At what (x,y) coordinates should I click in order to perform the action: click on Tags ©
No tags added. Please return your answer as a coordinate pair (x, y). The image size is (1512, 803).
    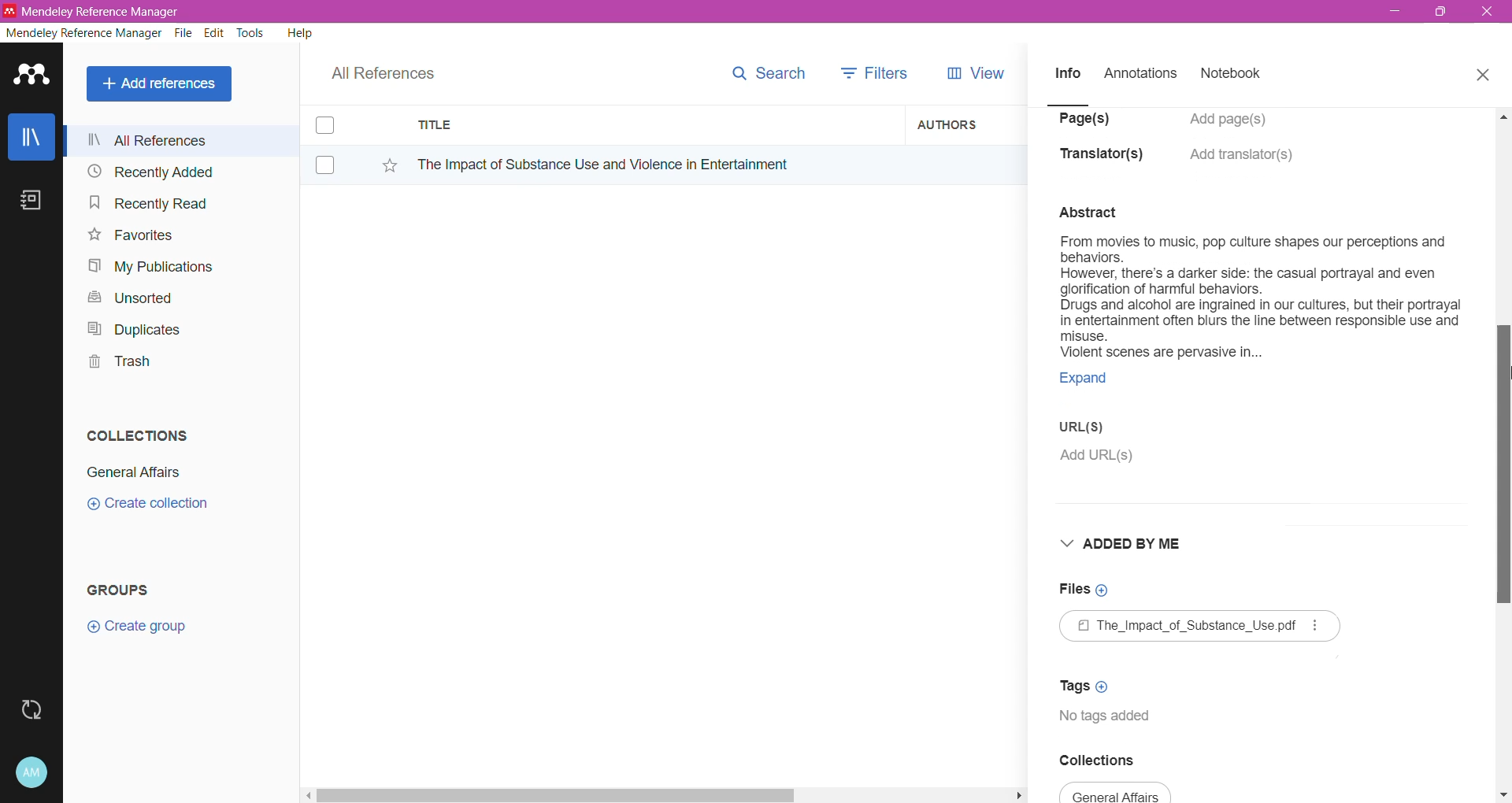
    Looking at the image, I should click on (1102, 701).